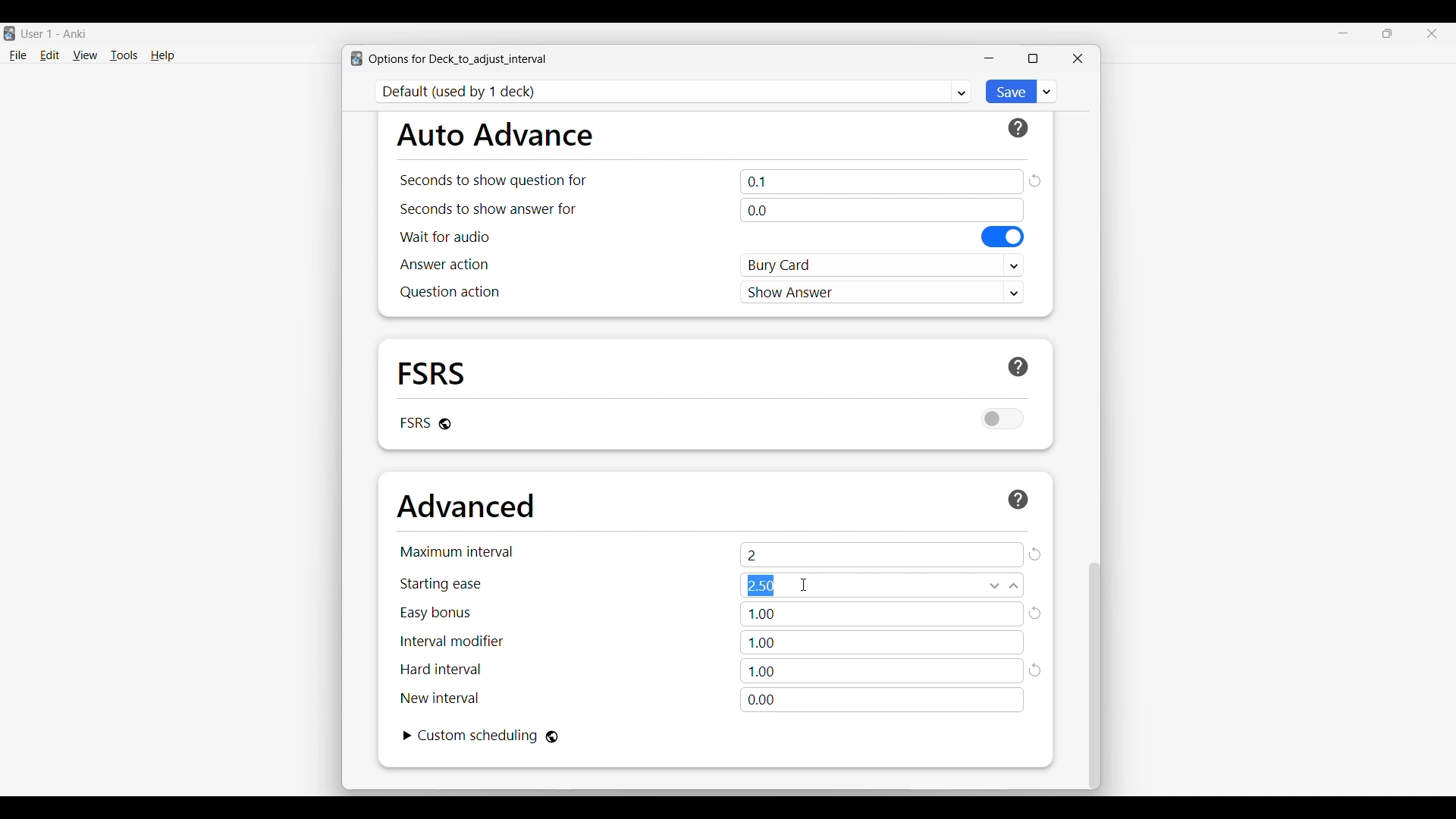 This screenshot has width=1456, height=819. I want to click on Minimize window, so click(989, 58).